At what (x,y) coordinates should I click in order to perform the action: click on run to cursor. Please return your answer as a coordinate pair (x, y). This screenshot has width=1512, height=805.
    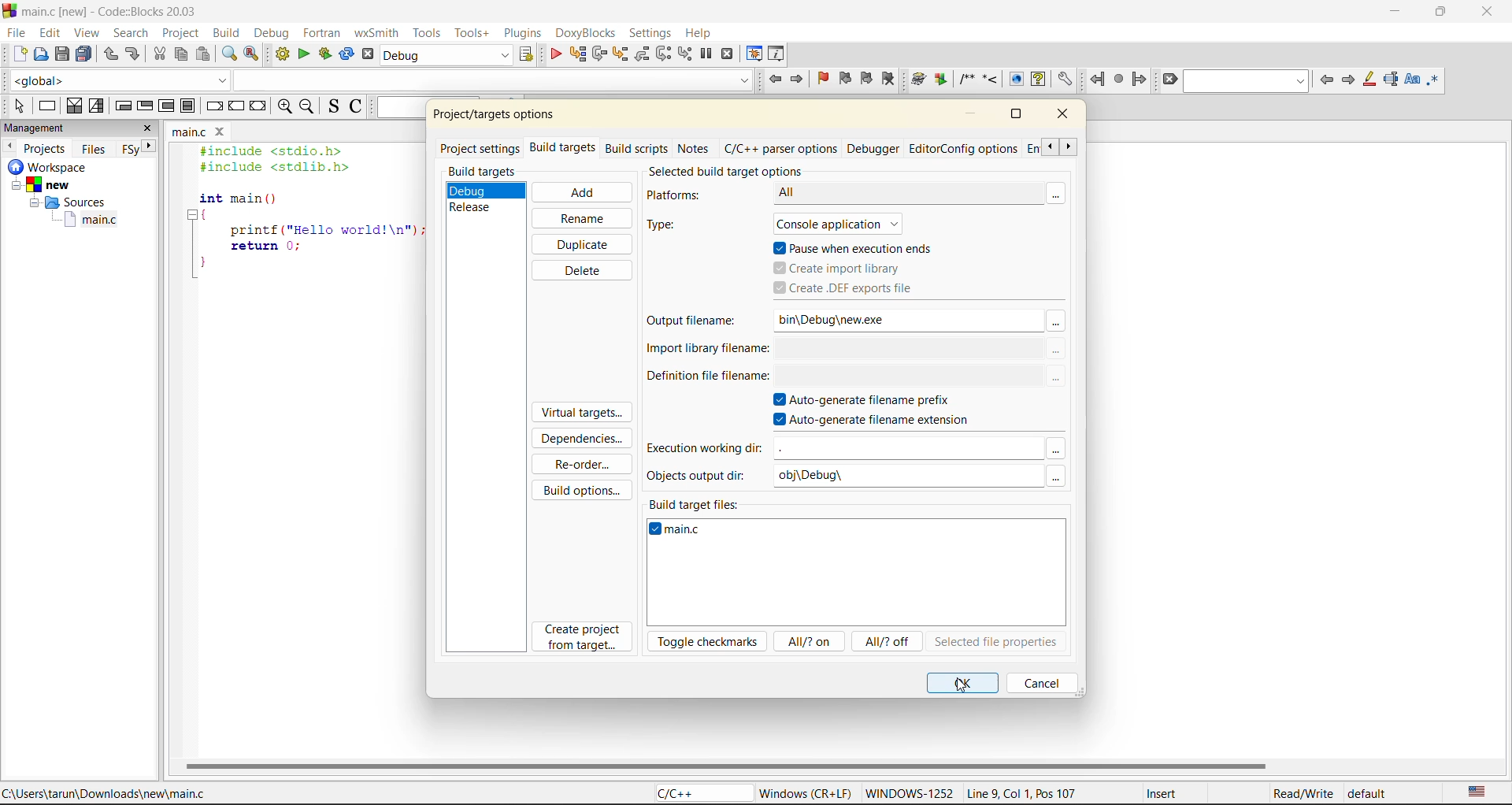
    Looking at the image, I should click on (579, 54).